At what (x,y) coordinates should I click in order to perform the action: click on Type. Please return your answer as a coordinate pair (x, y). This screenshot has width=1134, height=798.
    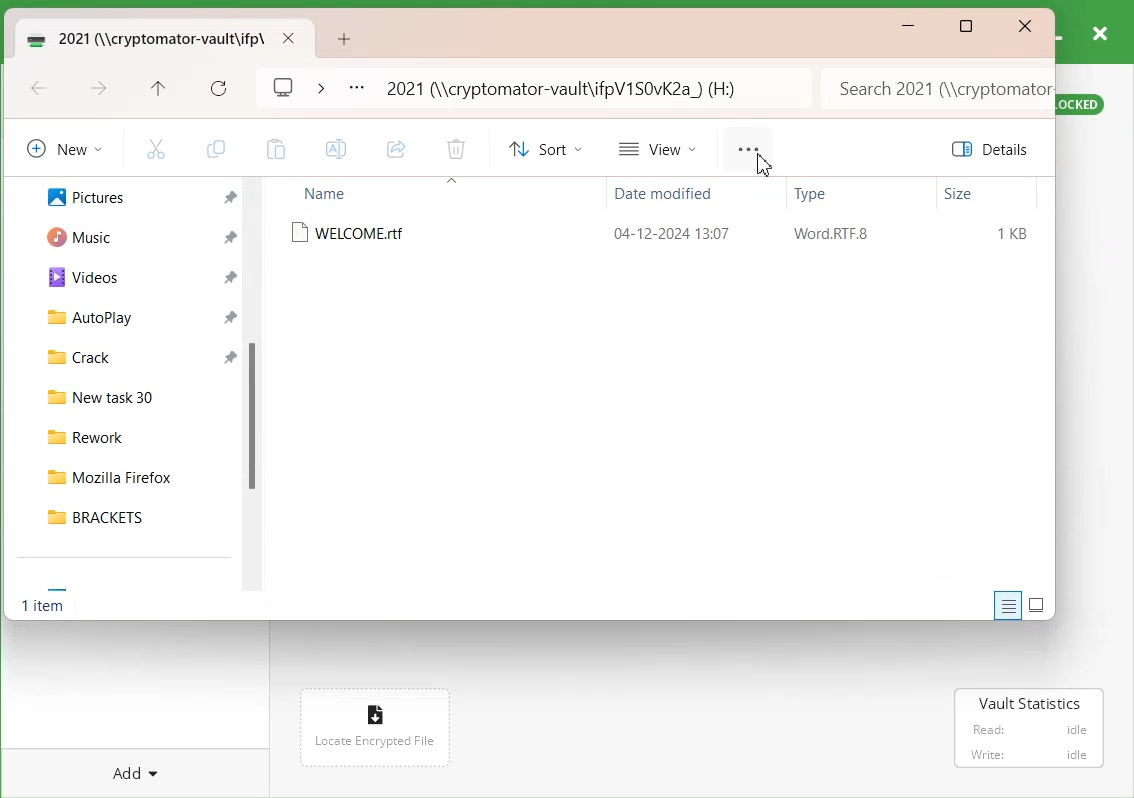
    Looking at the image, I should click on (828, 194).